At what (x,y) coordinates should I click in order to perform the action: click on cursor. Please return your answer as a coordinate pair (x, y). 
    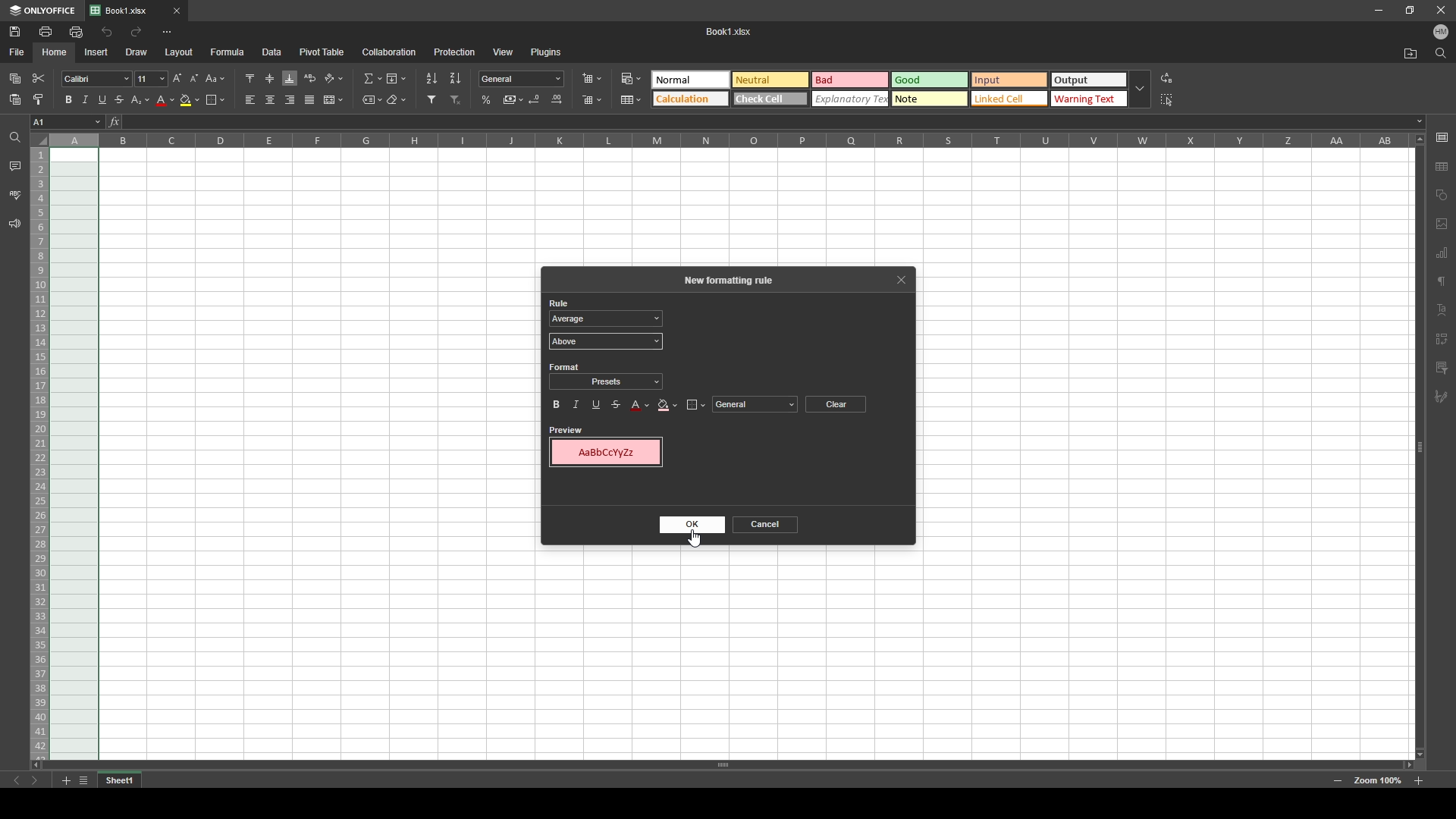
    Looking at the image, I should click on (633, 83).